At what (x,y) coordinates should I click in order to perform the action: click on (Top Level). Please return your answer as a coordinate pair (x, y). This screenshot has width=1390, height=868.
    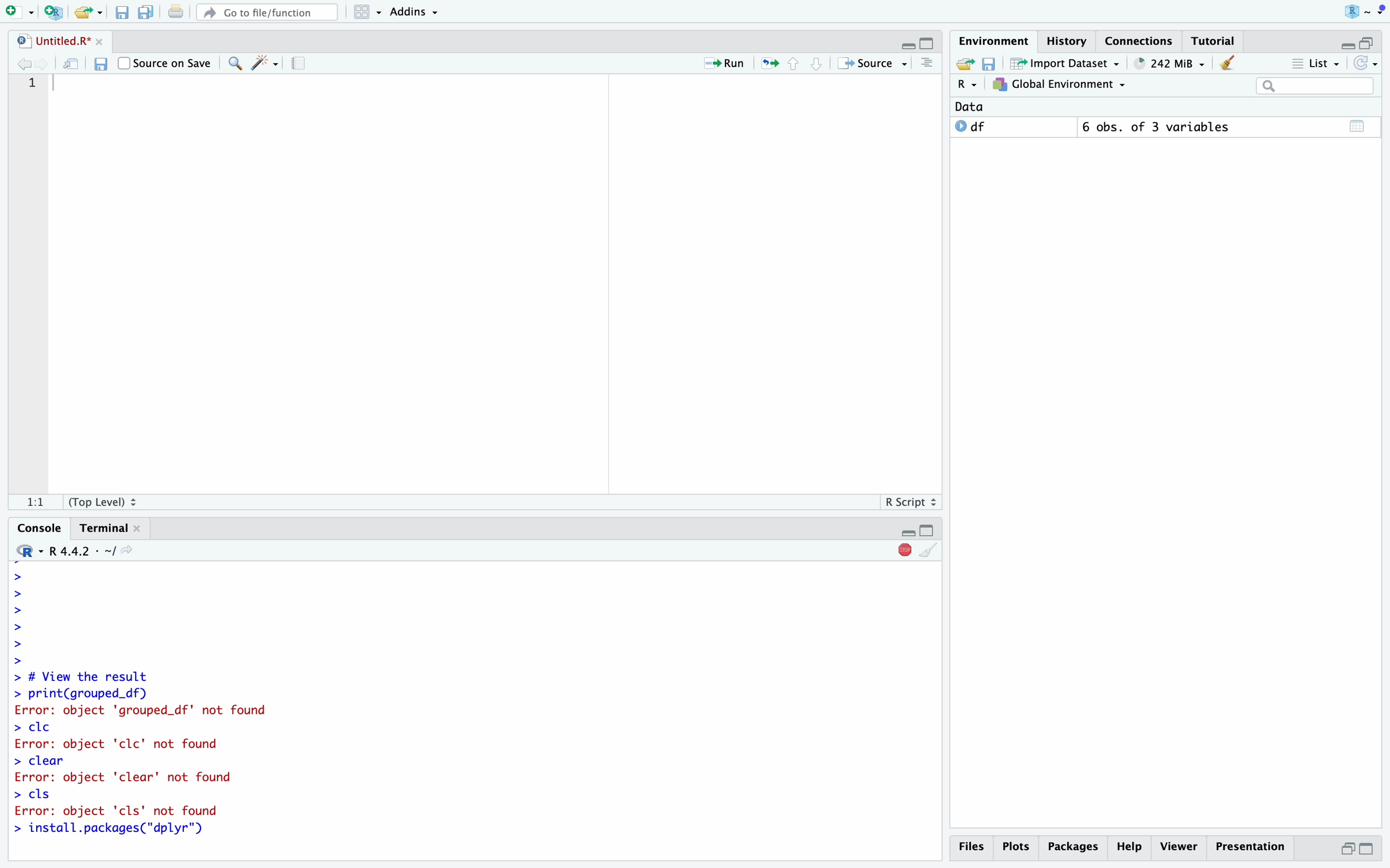
    Looking at the image, I should click on (105, 501).